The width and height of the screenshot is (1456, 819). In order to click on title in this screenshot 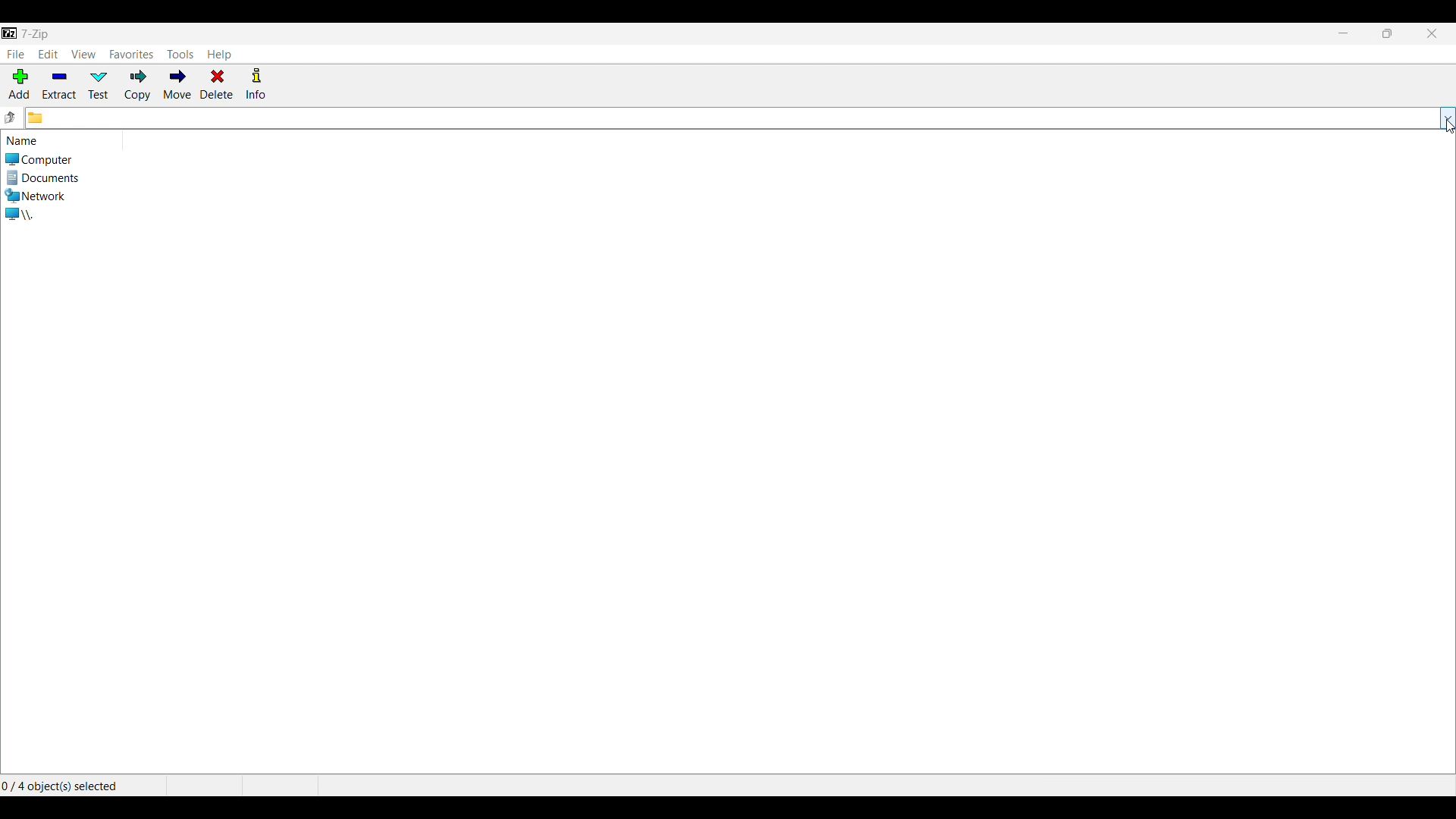, I will do `click(36, 34)`.